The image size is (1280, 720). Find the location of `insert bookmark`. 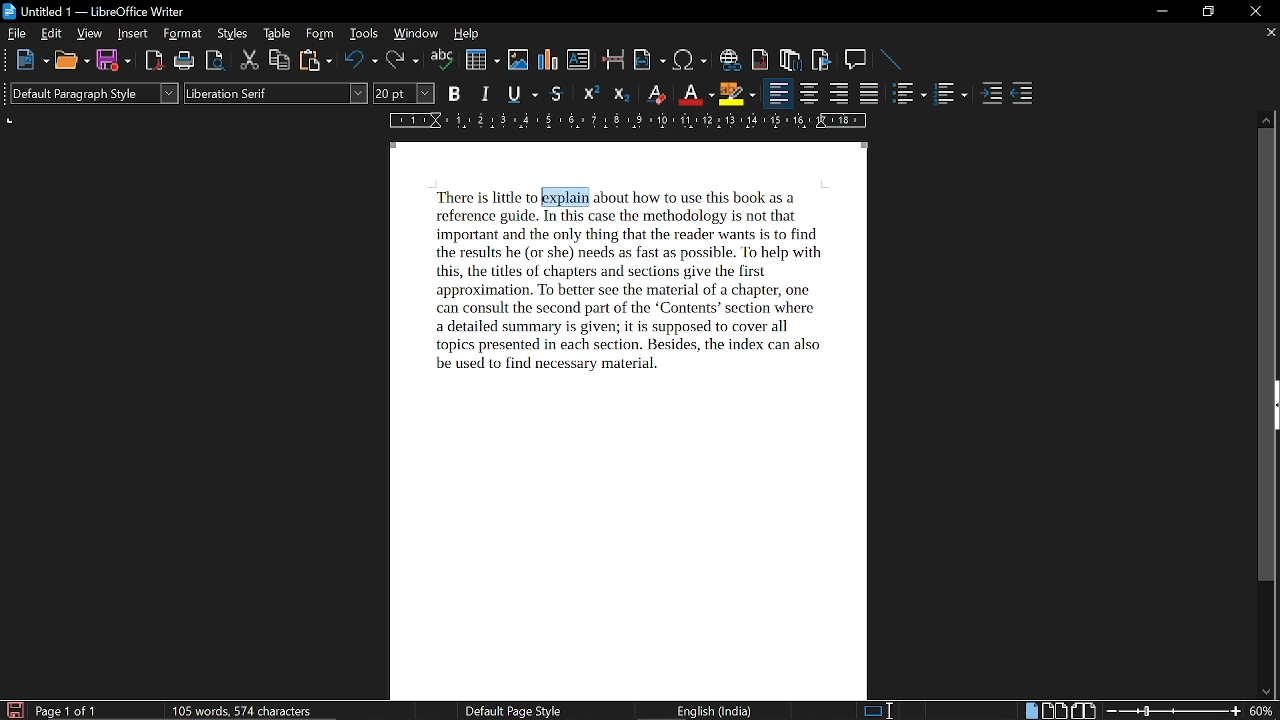

insert bookmark is located at coordinates (822, 60).